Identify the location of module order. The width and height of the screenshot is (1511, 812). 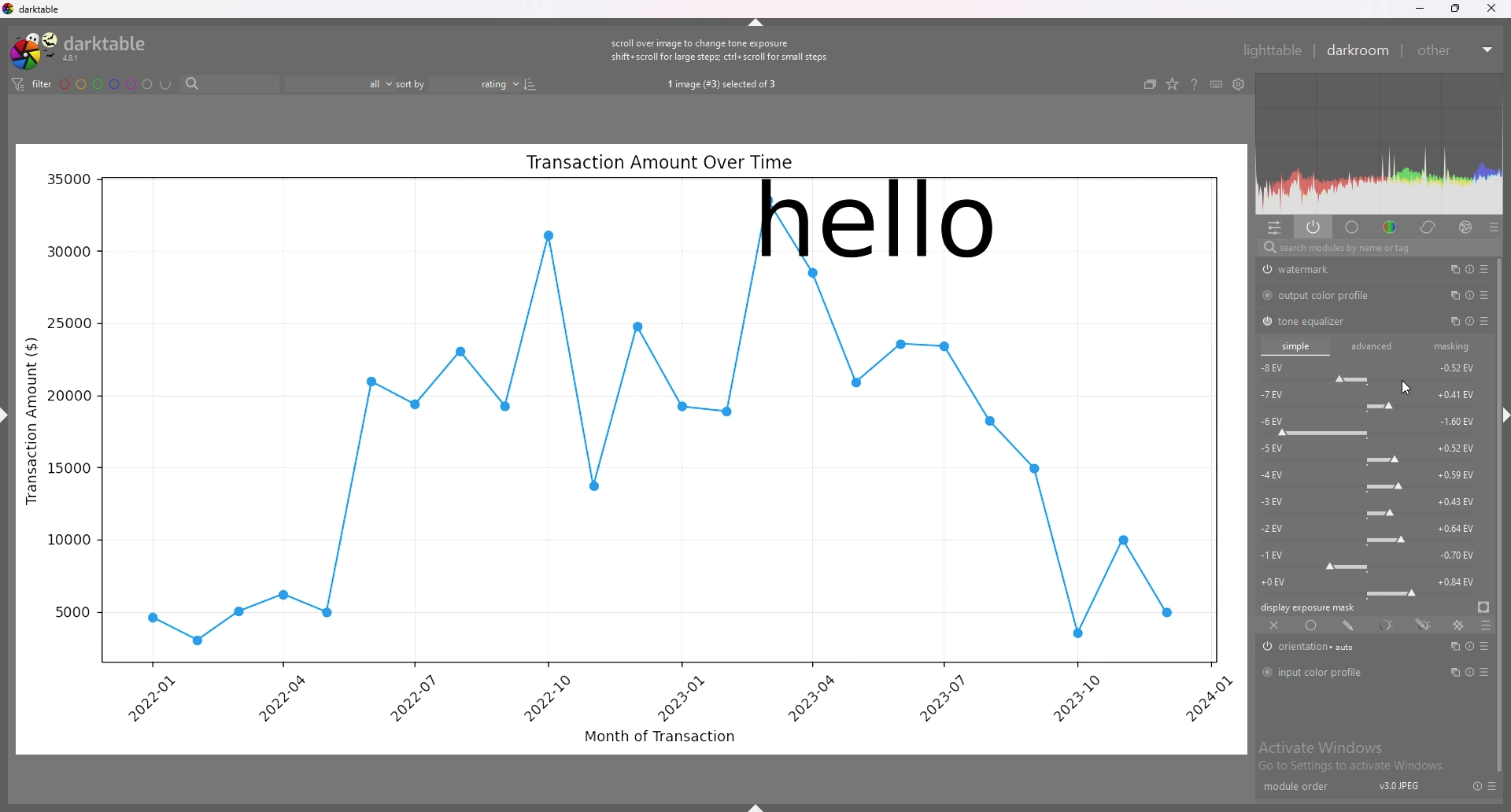
(1299, 787).